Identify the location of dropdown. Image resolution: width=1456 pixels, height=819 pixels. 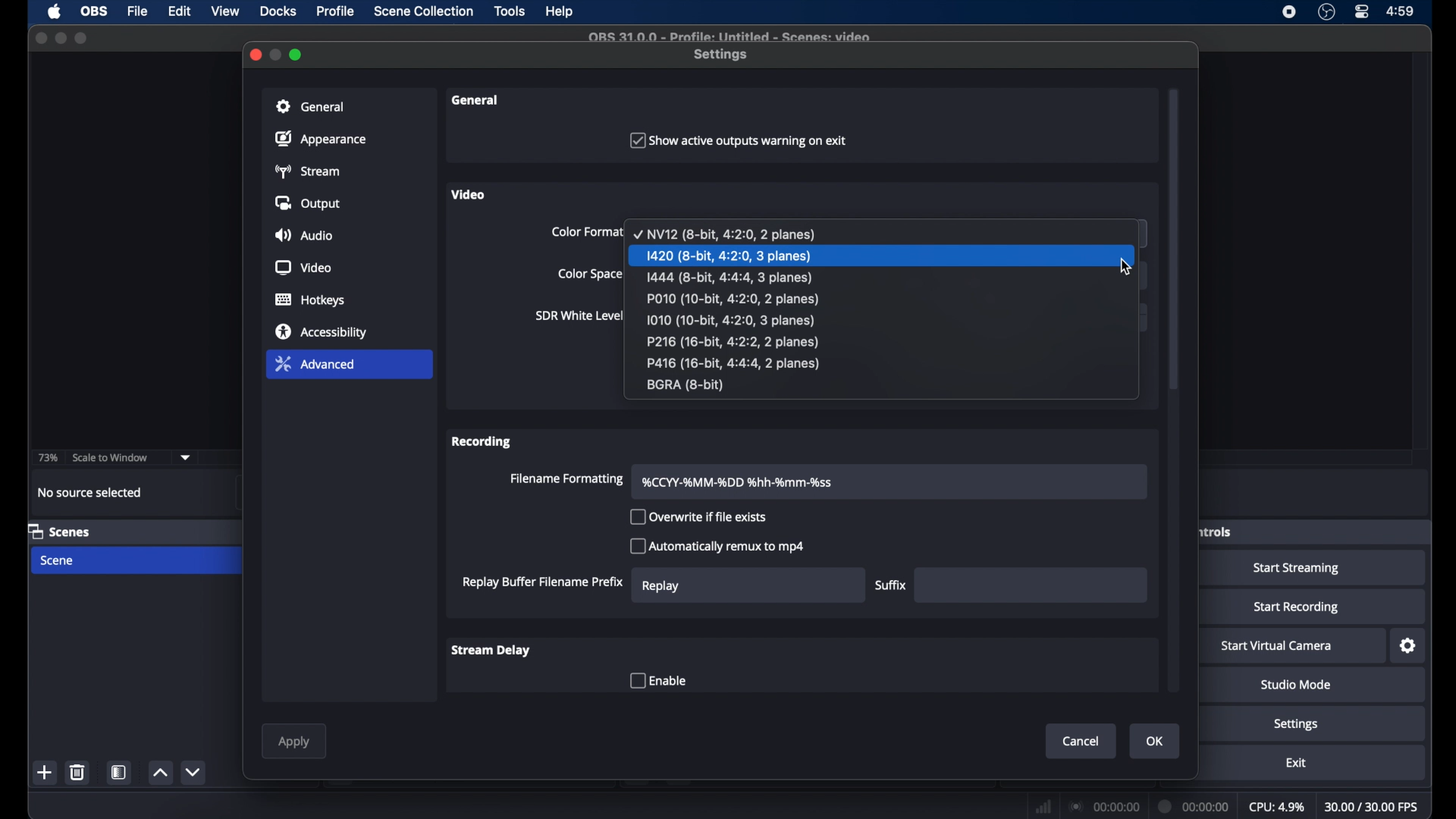
(186, 457).